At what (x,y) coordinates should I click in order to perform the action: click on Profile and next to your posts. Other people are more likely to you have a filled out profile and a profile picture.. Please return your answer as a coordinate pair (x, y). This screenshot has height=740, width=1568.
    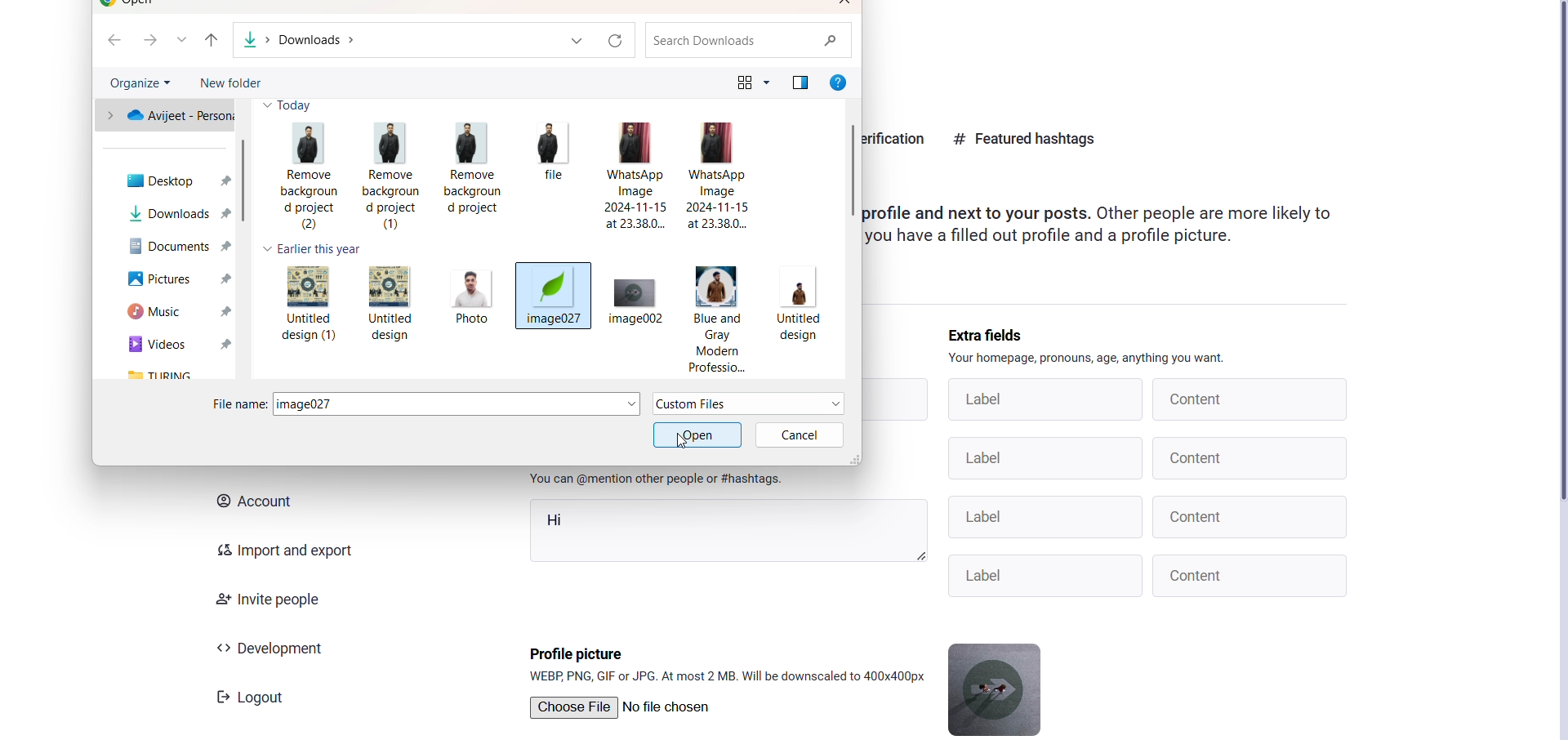
    Looking at the image, I should click on (1125, 229).